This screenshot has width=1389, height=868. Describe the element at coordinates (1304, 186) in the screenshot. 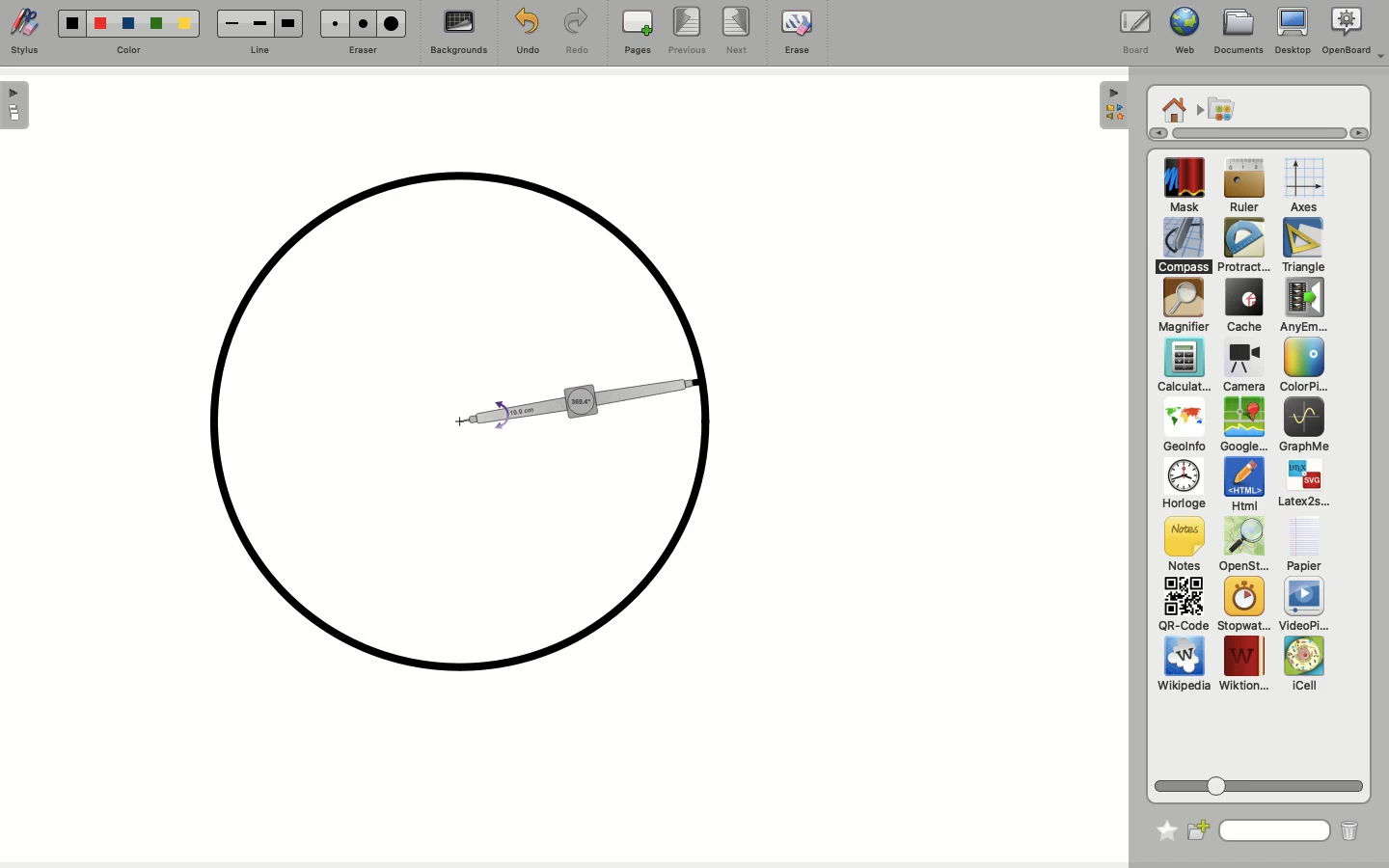

I see `Axes` at that location.